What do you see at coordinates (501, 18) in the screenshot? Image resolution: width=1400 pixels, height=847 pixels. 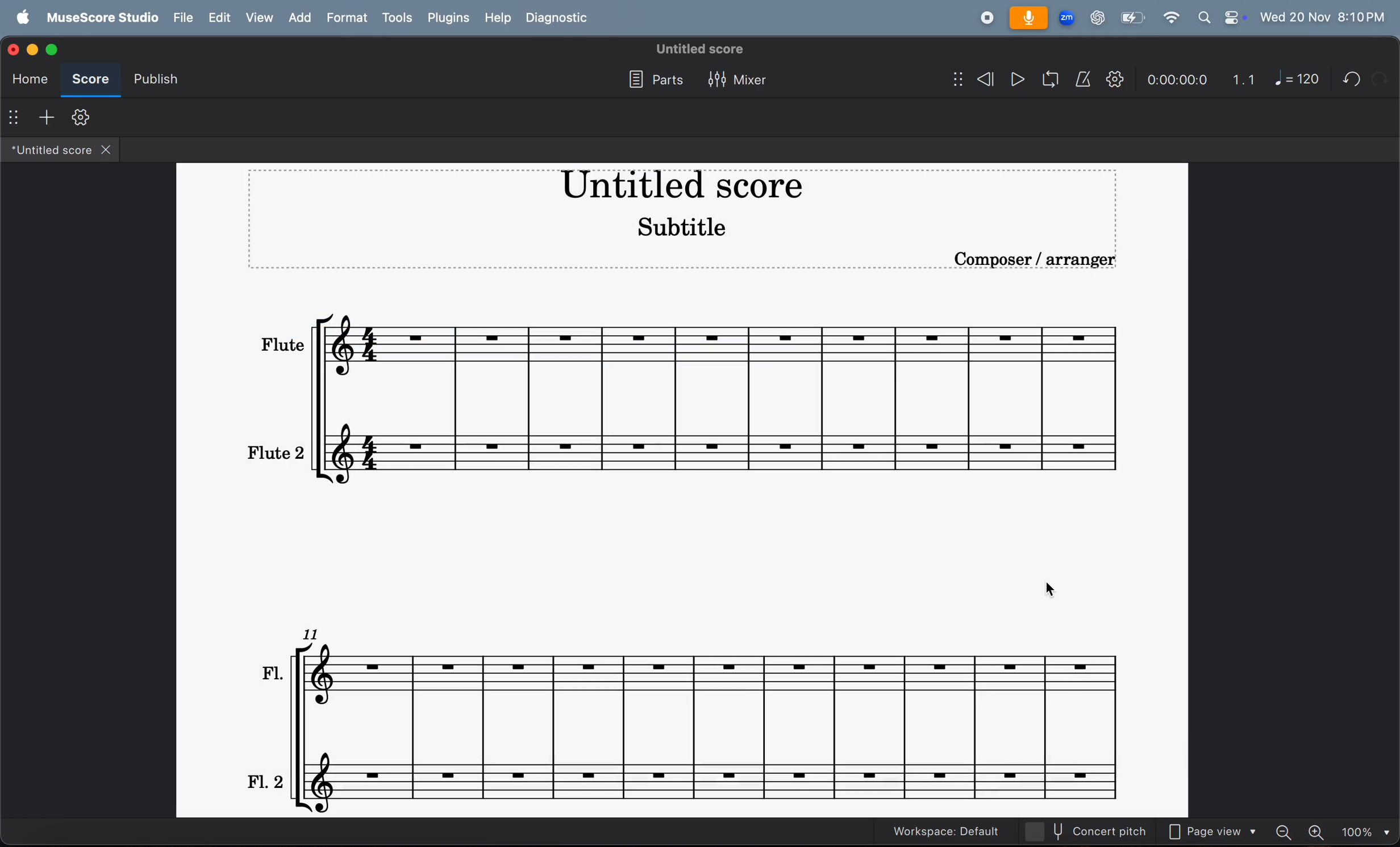 I see `help` at bounding box center [501, 18].